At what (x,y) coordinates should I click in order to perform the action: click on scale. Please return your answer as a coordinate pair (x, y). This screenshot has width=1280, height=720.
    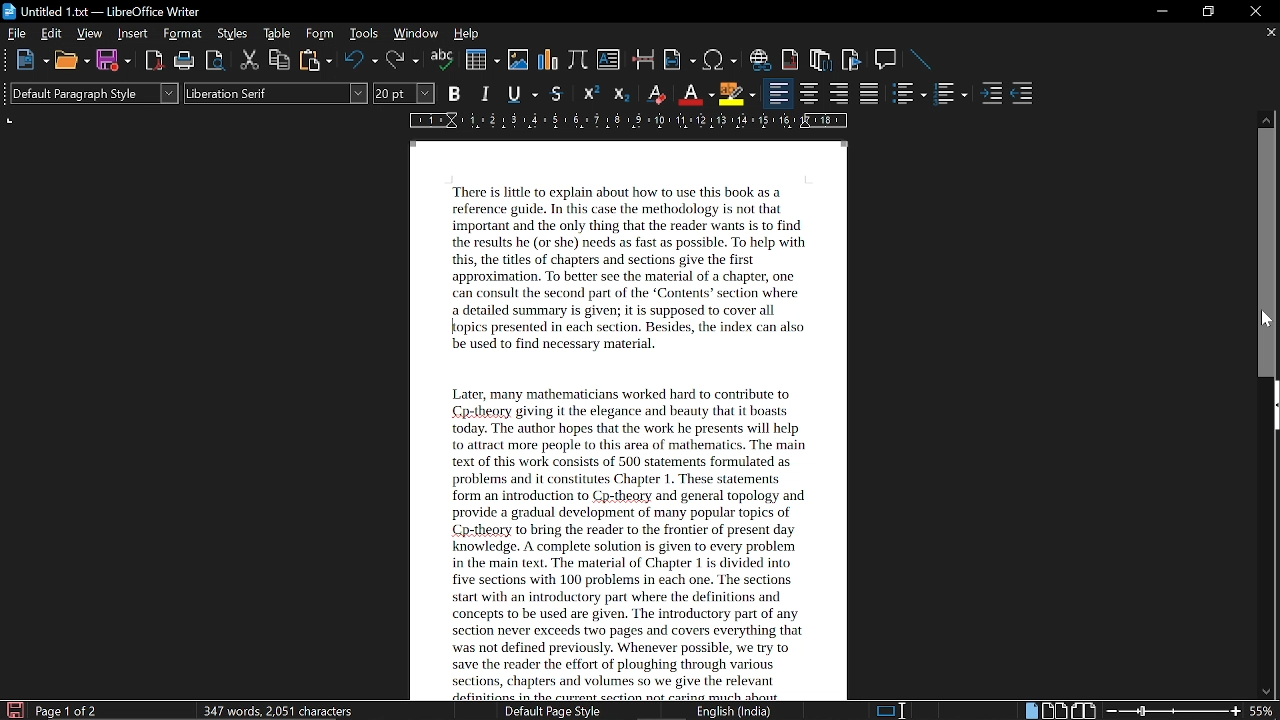
    Looking at the image, I should click on (629, 119).